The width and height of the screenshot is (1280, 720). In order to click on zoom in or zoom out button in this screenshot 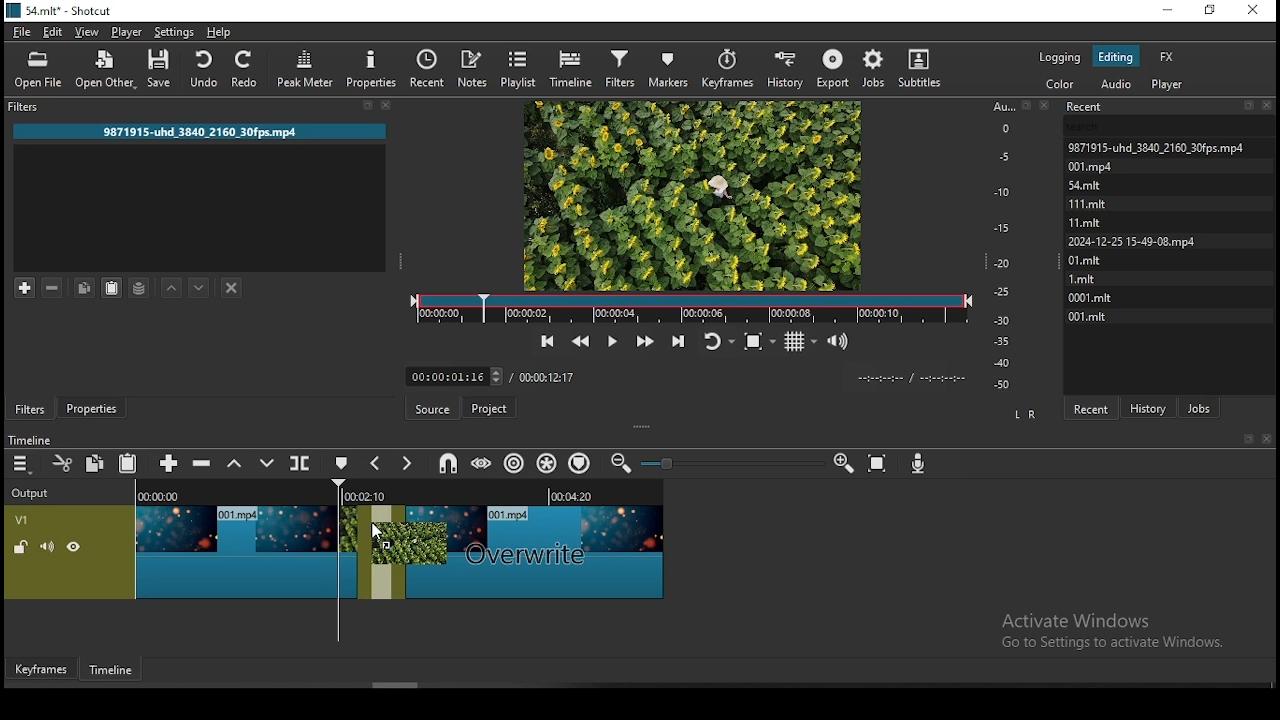, I will do `click(730, 463)`.